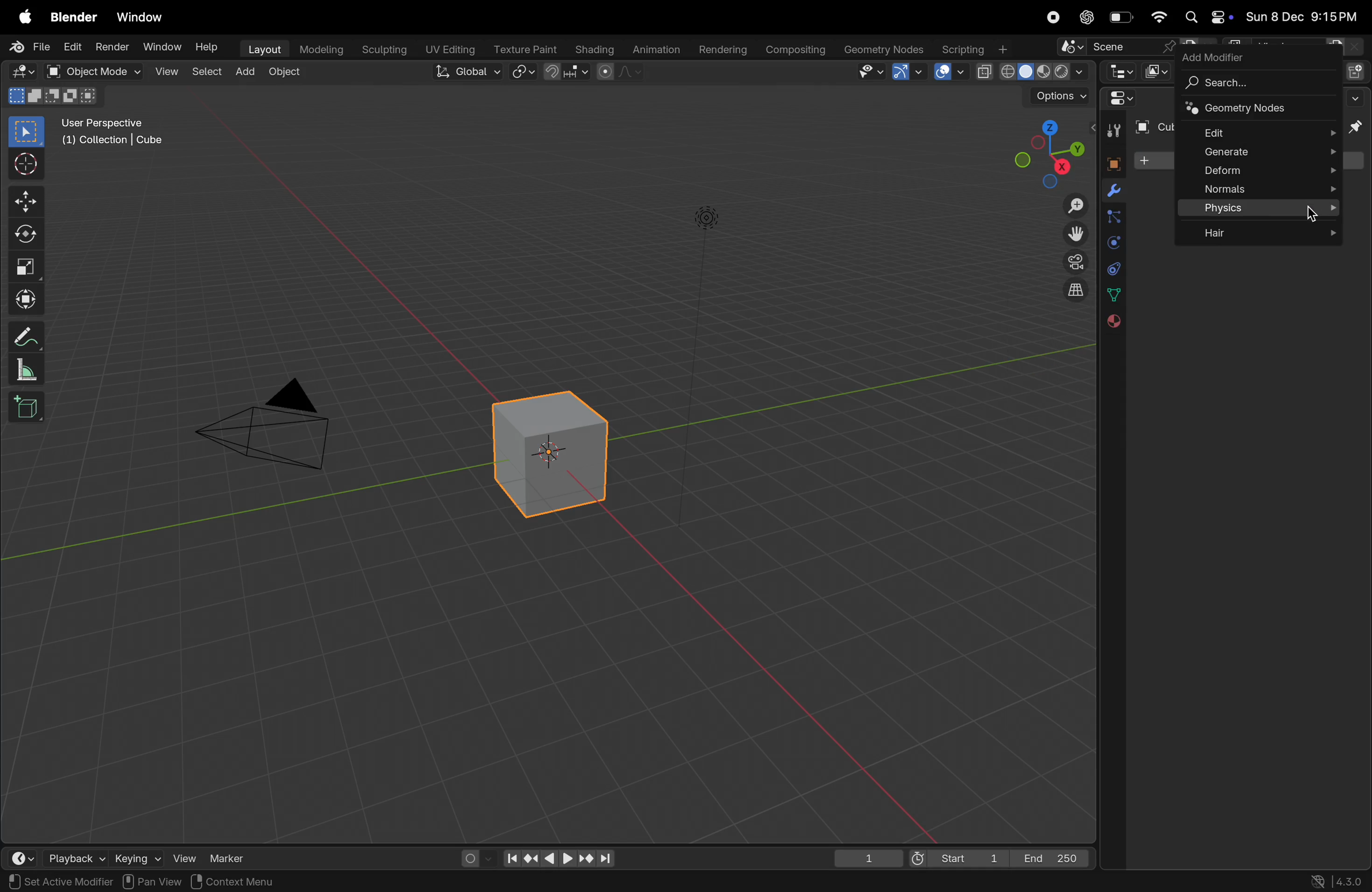 Image resolution: width=1372 pixels, height=892 pixels. What do you see at coordinates (1311, 213) in the screenshot?
I see `cursor` at bounding box center [1311, 213].